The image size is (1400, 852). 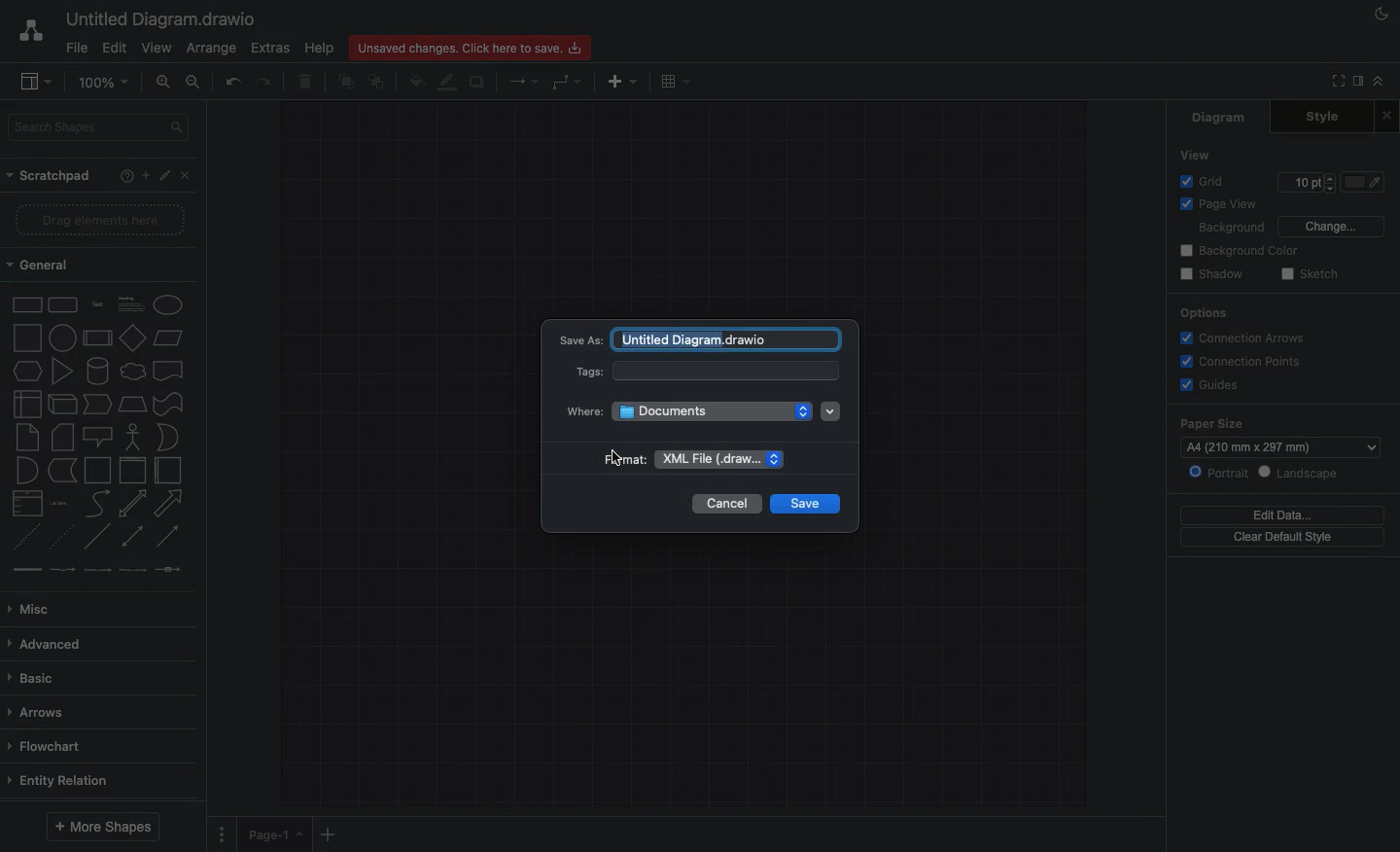 What do you see at coordinates (1307, 472) in the screenshot?
I see `Landscape` at bounding box center [1307, 472].